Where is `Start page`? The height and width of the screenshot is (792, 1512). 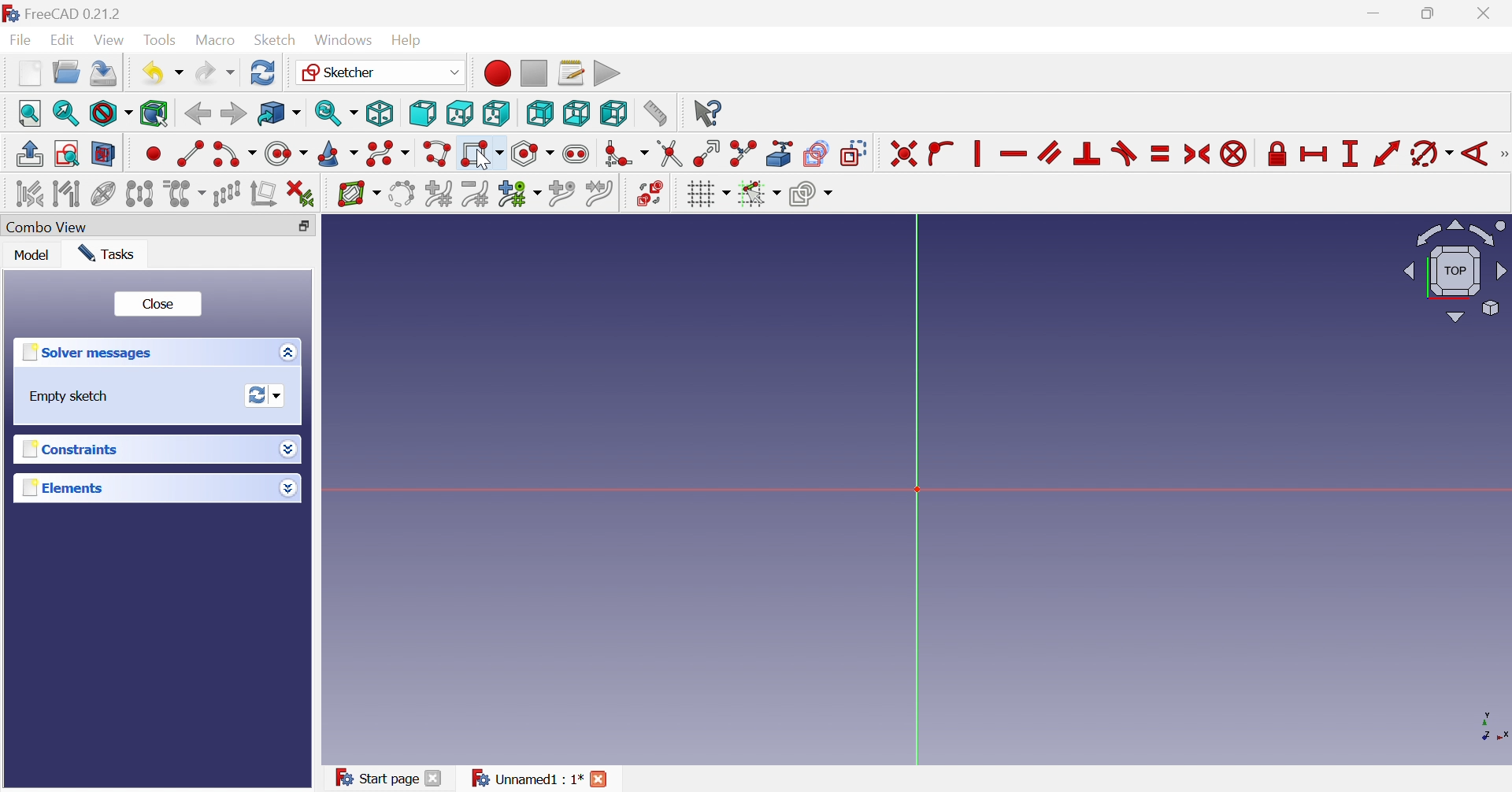
Start page is located at coordinates (376, 776).